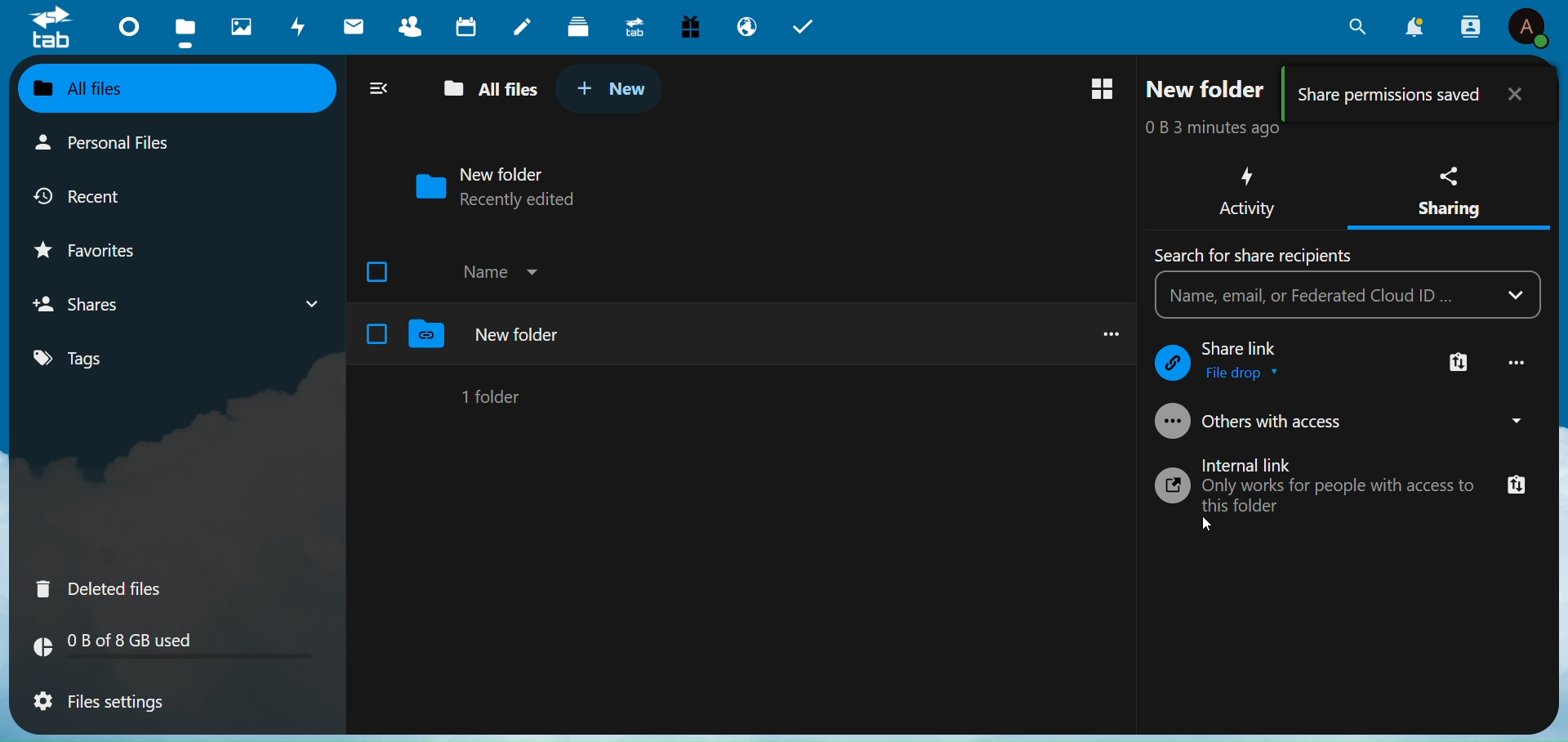  What do you see at coordinates (1517, 488) in the screenshot?
I see `Copy link` at bounding box center [1517, 488].